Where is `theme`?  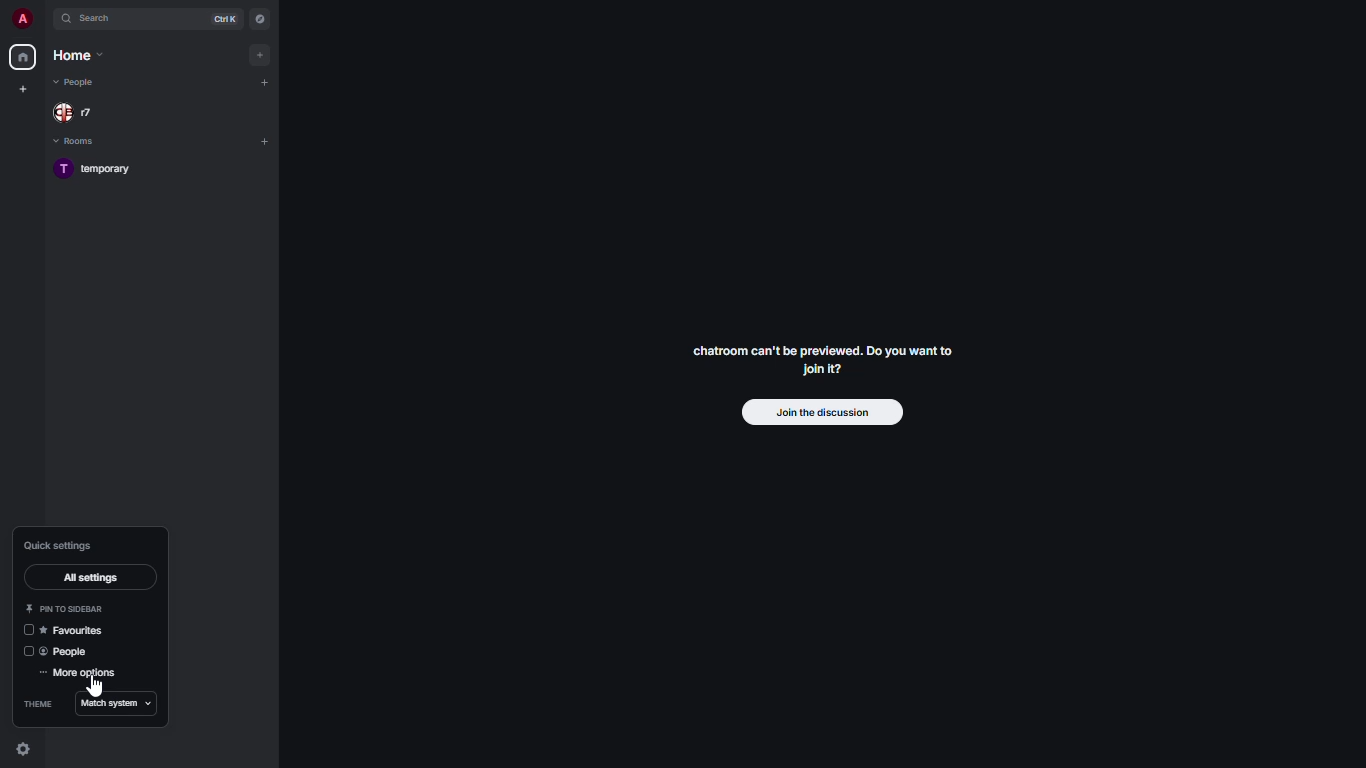
theme is located at coordinates (38, 703).